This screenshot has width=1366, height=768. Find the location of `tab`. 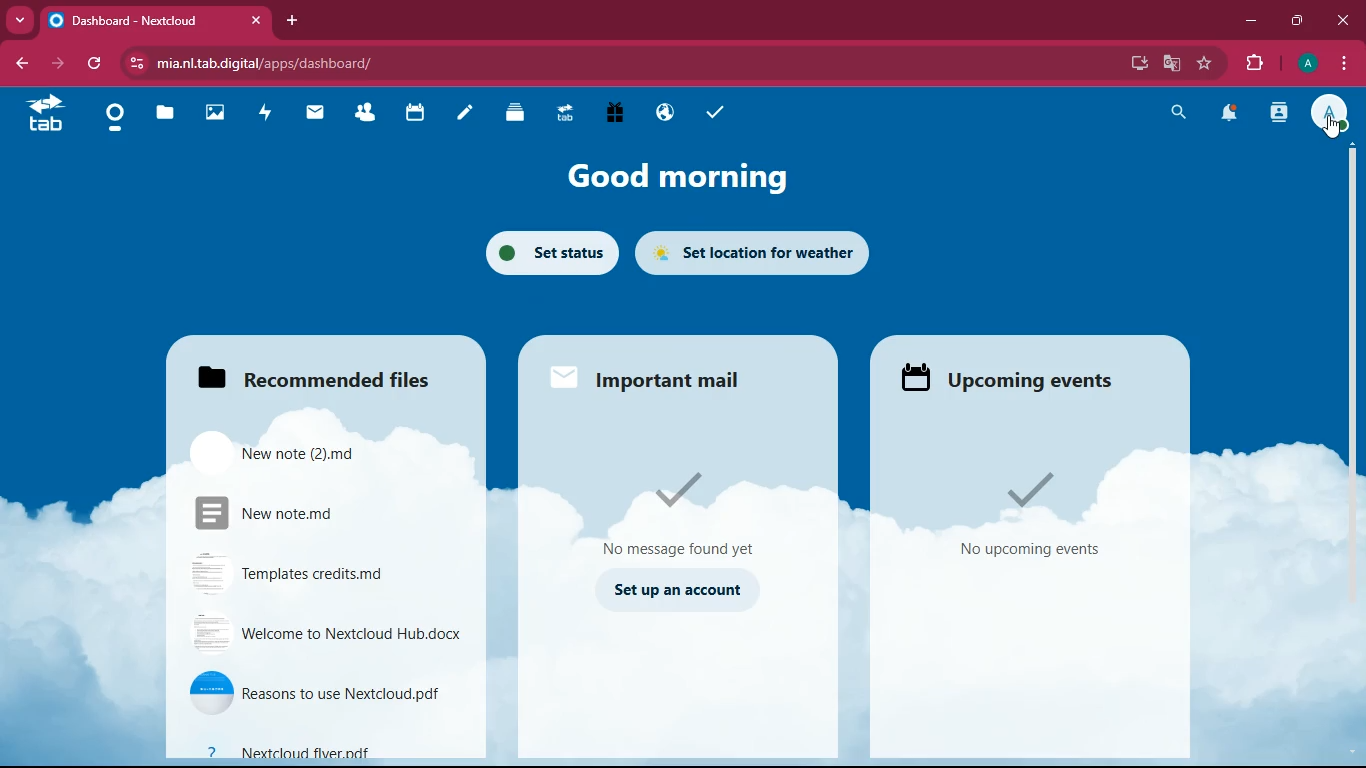

tab is located at coordinates (561, 113).